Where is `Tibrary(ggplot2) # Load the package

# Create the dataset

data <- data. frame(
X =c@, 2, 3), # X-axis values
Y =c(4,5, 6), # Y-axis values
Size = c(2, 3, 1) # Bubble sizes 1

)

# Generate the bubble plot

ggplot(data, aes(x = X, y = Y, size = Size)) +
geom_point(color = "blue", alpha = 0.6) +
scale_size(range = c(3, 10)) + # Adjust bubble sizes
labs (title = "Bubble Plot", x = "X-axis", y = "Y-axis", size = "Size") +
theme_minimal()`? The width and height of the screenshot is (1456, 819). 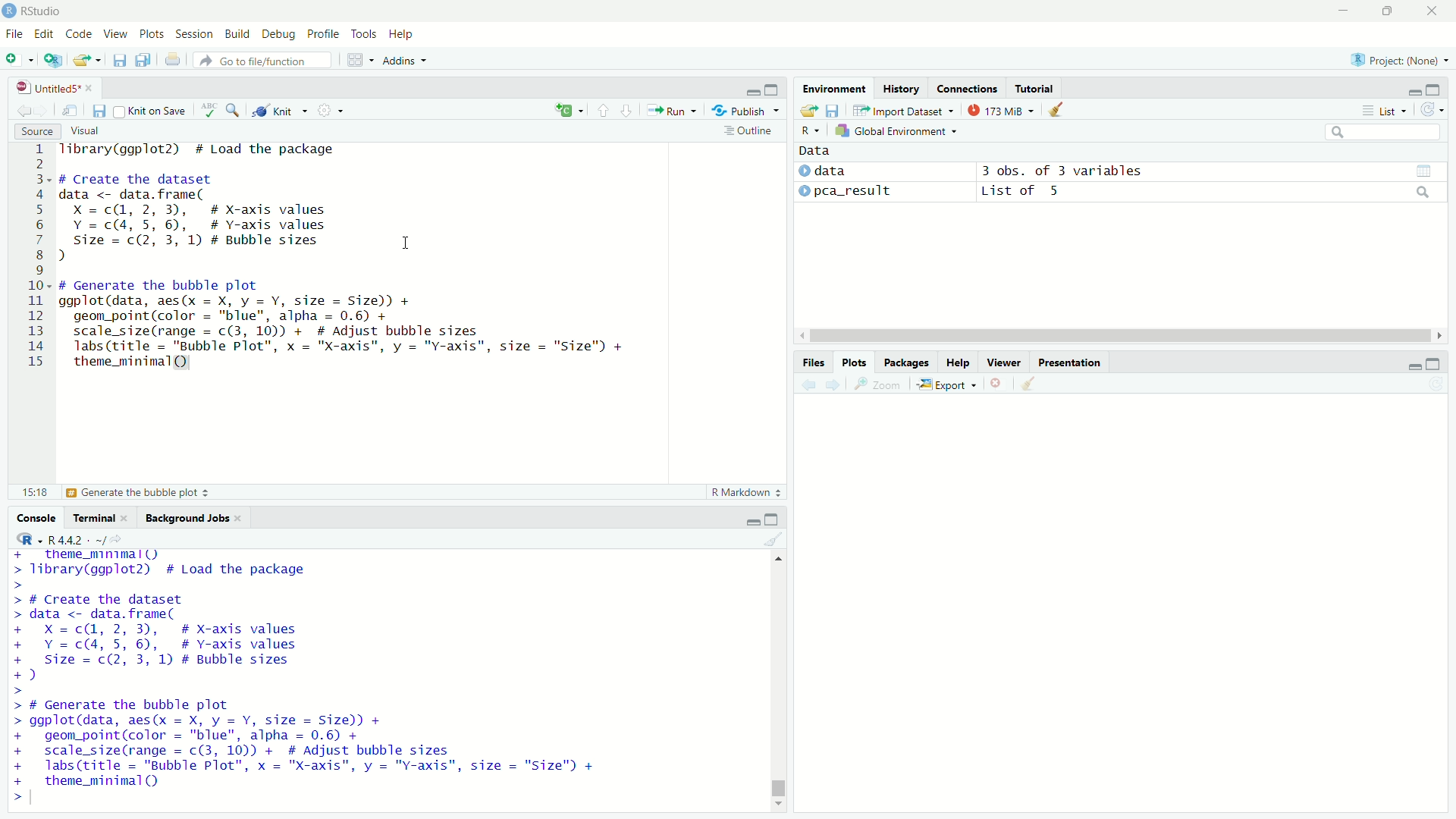 Tibrary(ggplot2) # Load the package

# Create the dataset

data <- data. frame(
X =c@, 2, 3), # X-axis values
Y =c(4,5, 6), # Y-axis values
Size = c(2, 3, 1) # Bubble sizes 1

)

# Generate the bubble plot

ggplot(data, aes(x = X, y = Y, size = Size)) +
geom_point(color = "blue", alpha = 0.6) +
scale_size(range = c(3, 10)) + # Adjust bubble sizes
labs (title = "Bubble Plot", x = "X-axis", y = "Y-axis", size = "Size") +
theme_minimal() is located at coordinates (367, 261).